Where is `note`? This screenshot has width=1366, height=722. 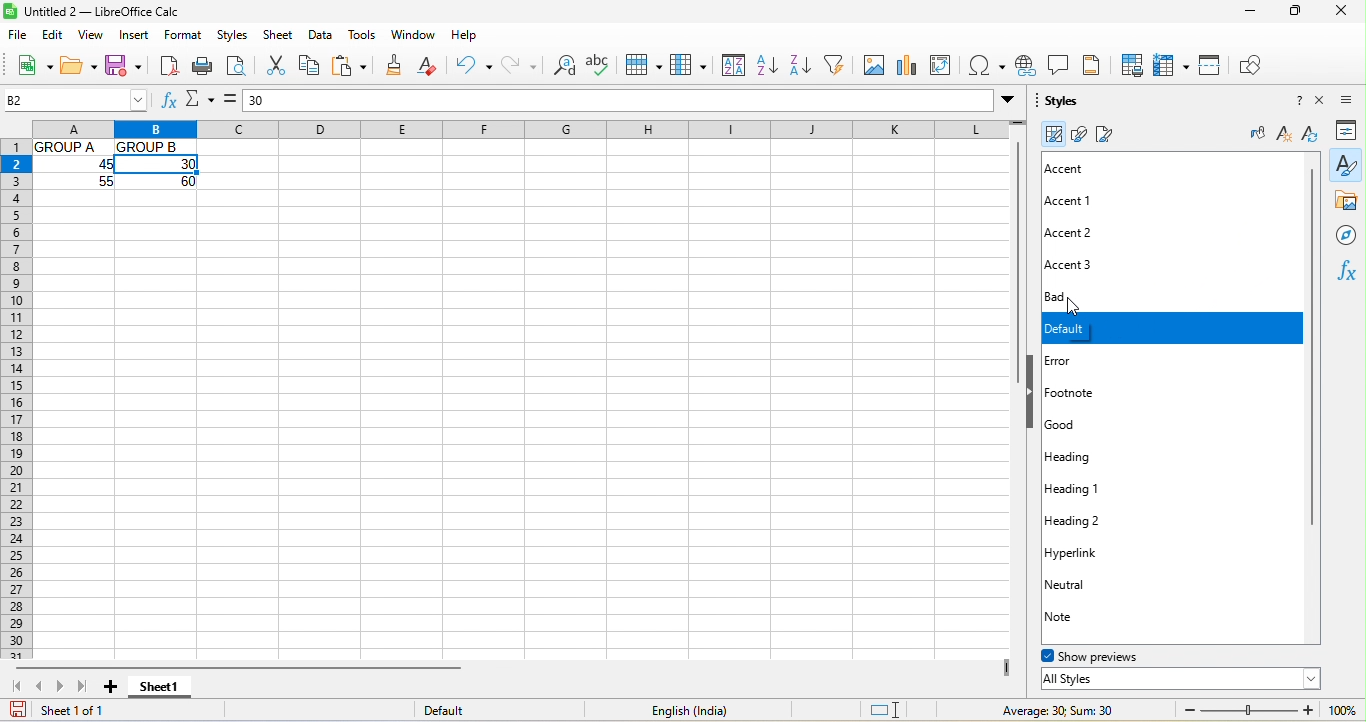 note is located at coordinates (1078, 617).